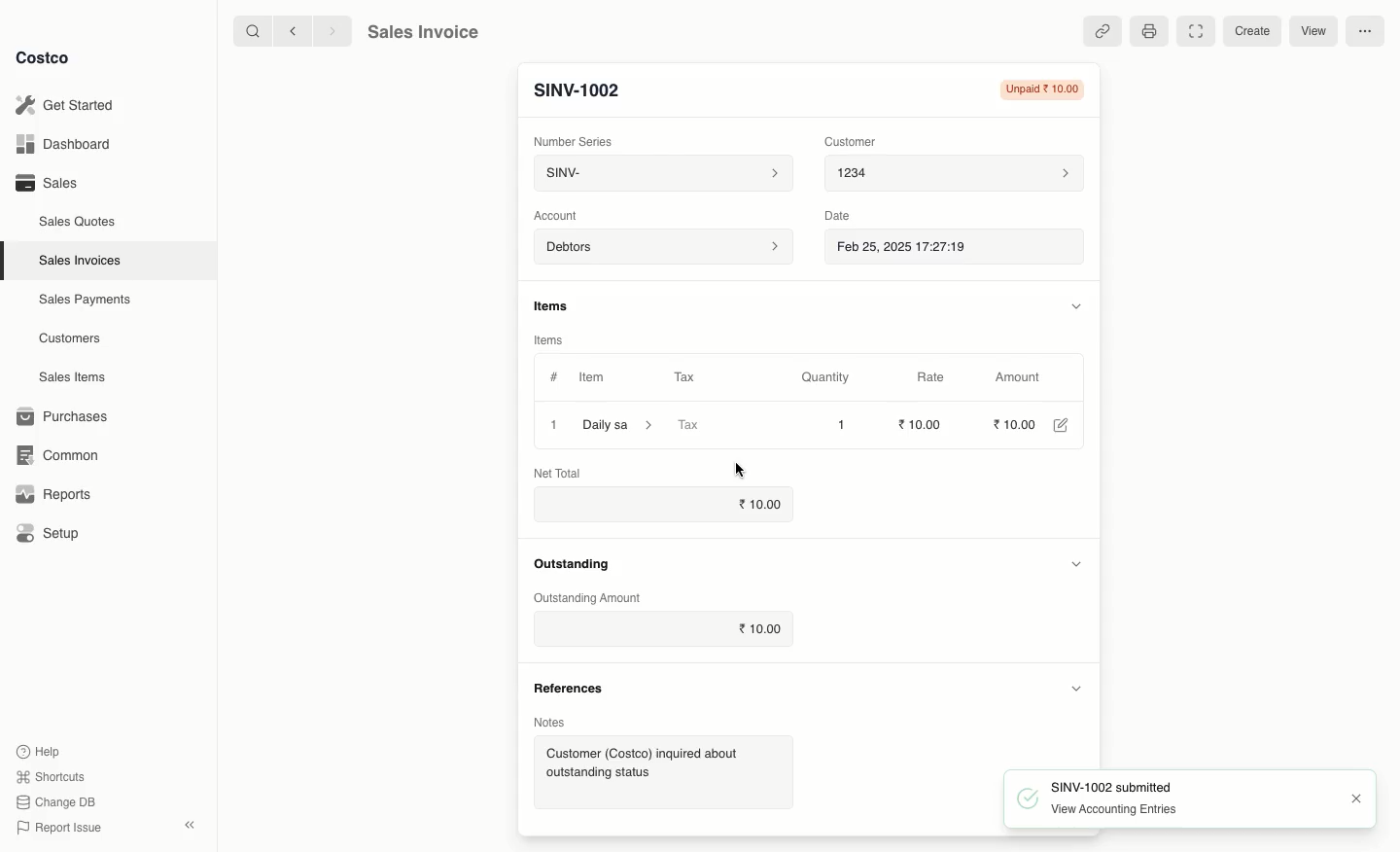 Image resolution: width=1400 pixels, height=852 pixels. I want to click on Shortcuts, so click(52, 775).